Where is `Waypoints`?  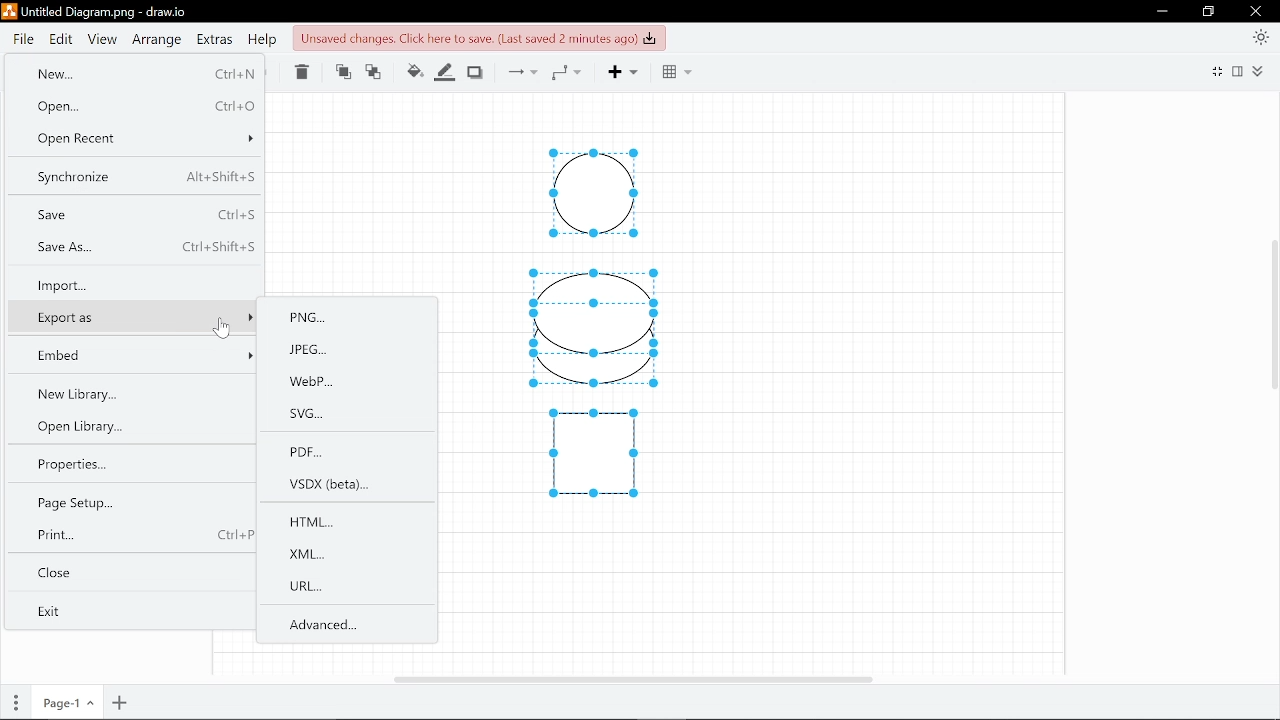 Waypoints is located at coordinates (566, 71).